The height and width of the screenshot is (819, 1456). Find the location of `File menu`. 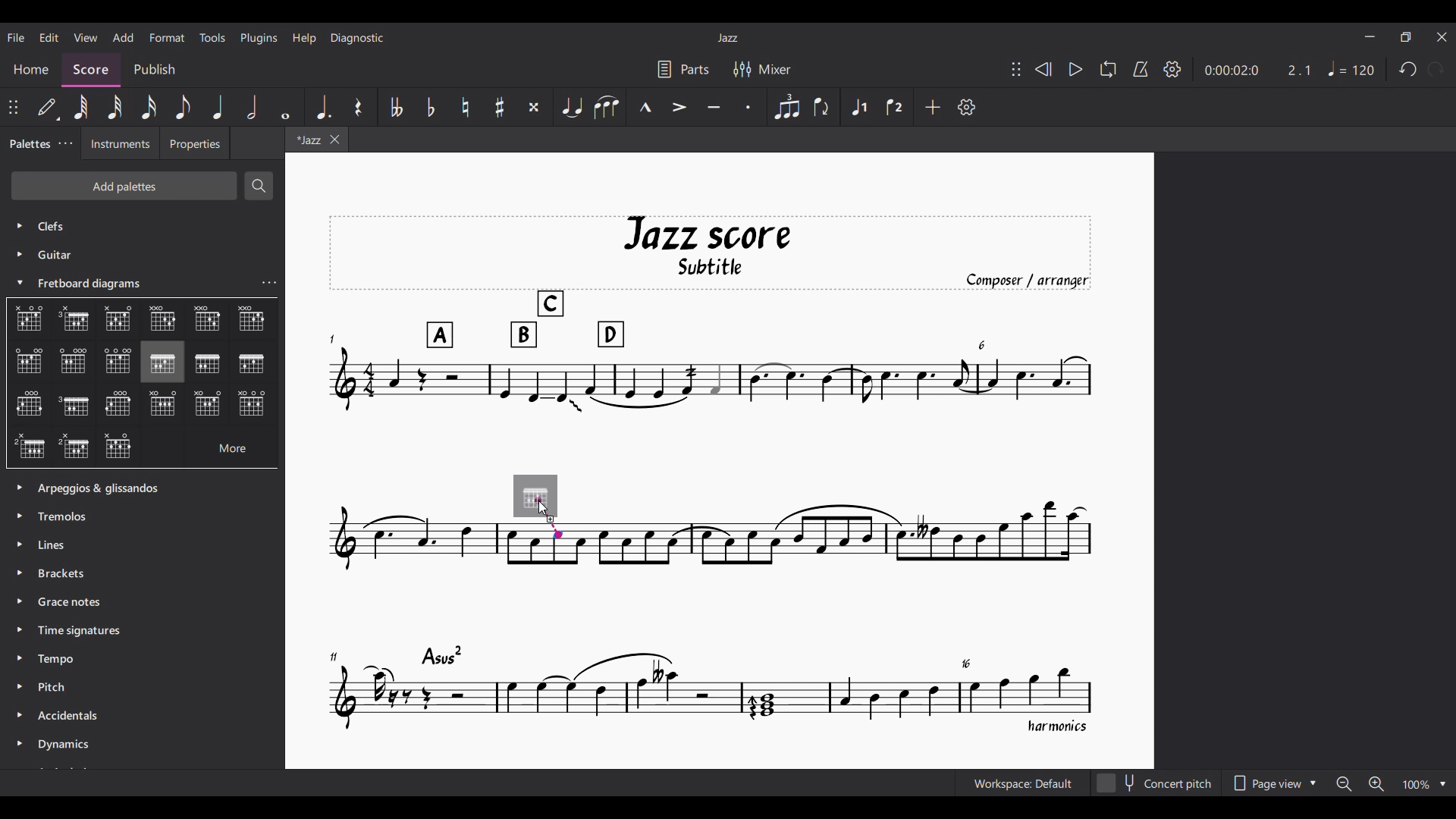

File menu is located at coordinates (15, 37).